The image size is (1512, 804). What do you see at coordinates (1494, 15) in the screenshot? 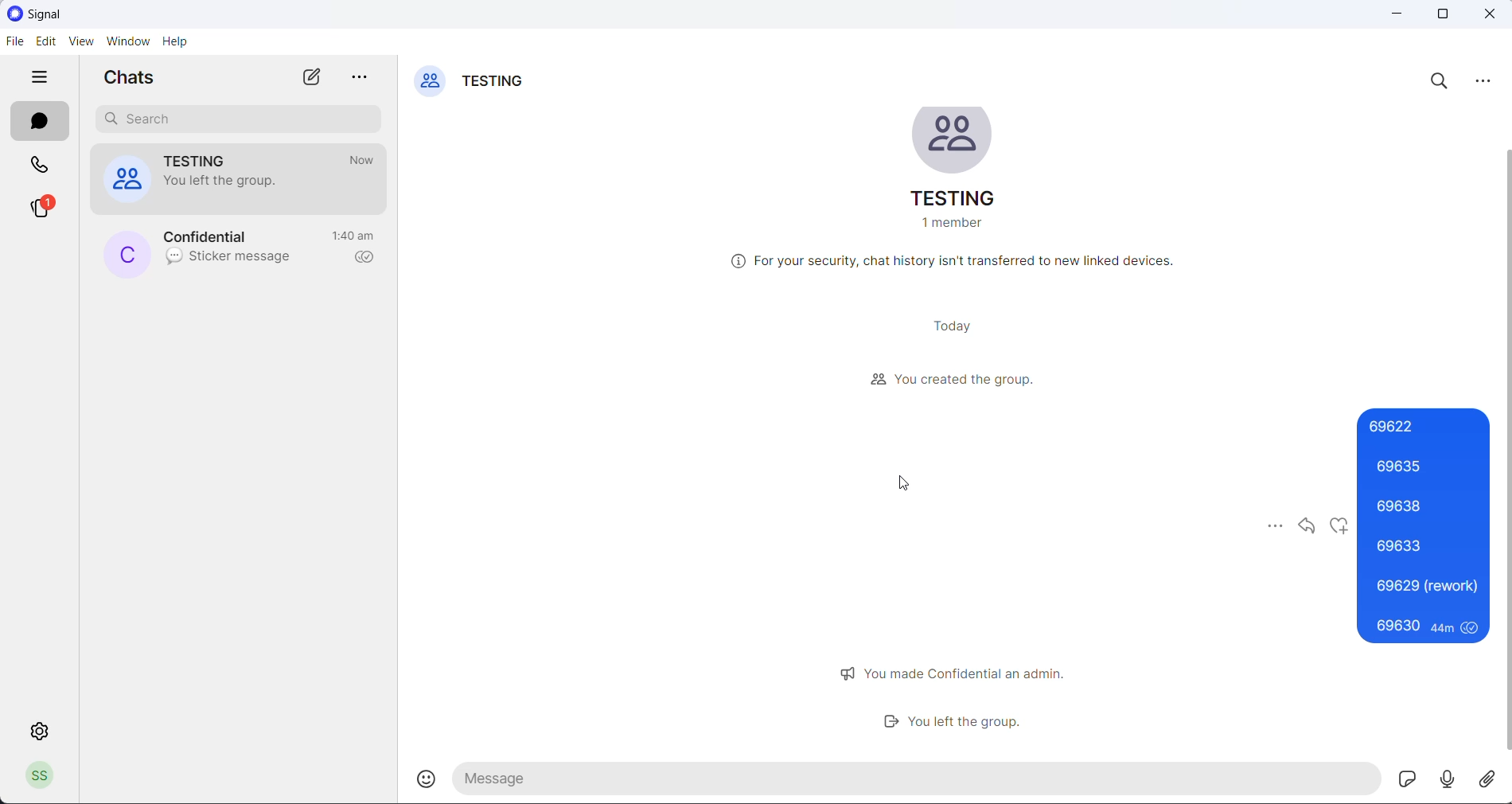
I see `close` at bounding box center [1494, 15].